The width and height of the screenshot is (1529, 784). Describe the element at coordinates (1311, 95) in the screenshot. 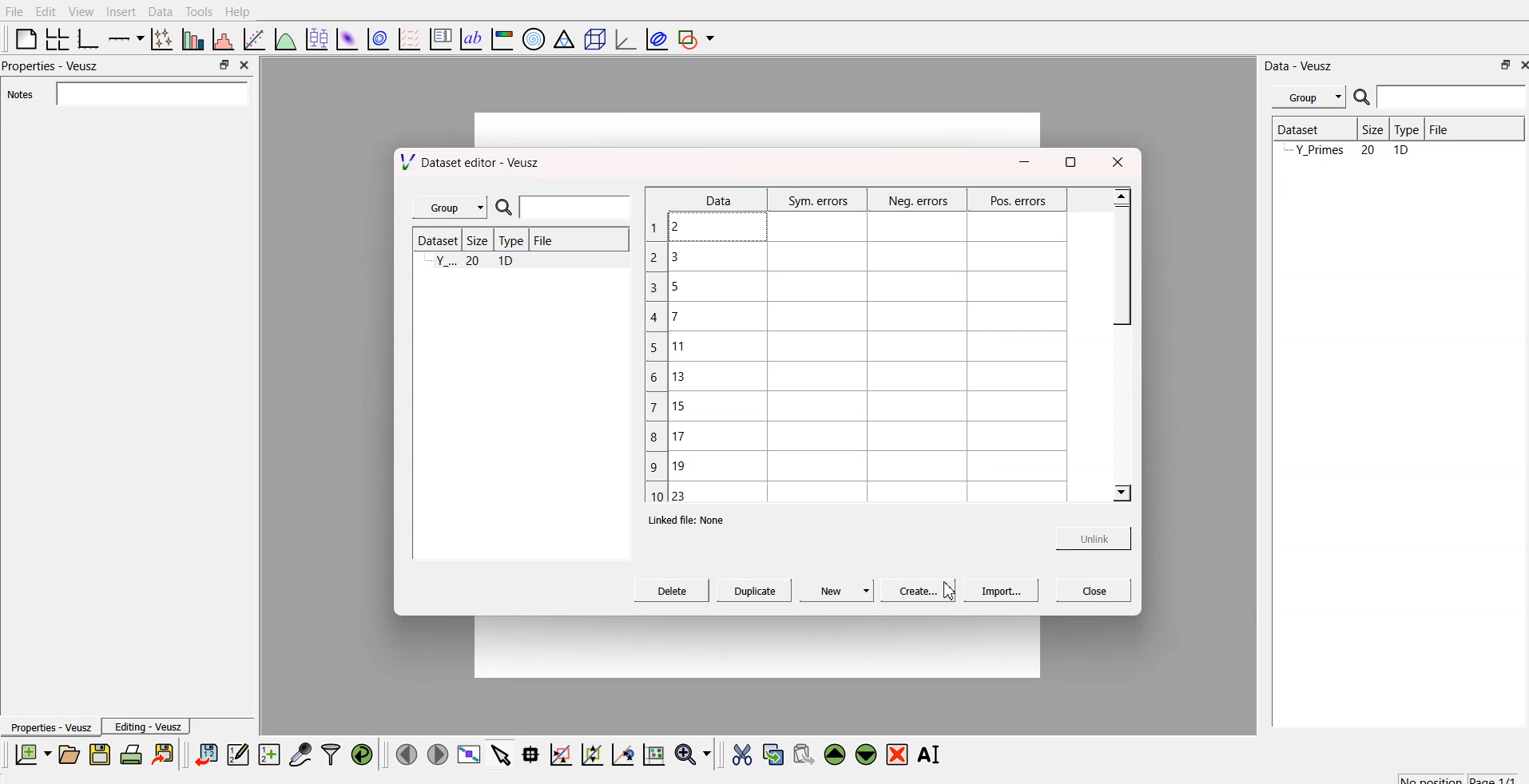

I see `Group` at that location.